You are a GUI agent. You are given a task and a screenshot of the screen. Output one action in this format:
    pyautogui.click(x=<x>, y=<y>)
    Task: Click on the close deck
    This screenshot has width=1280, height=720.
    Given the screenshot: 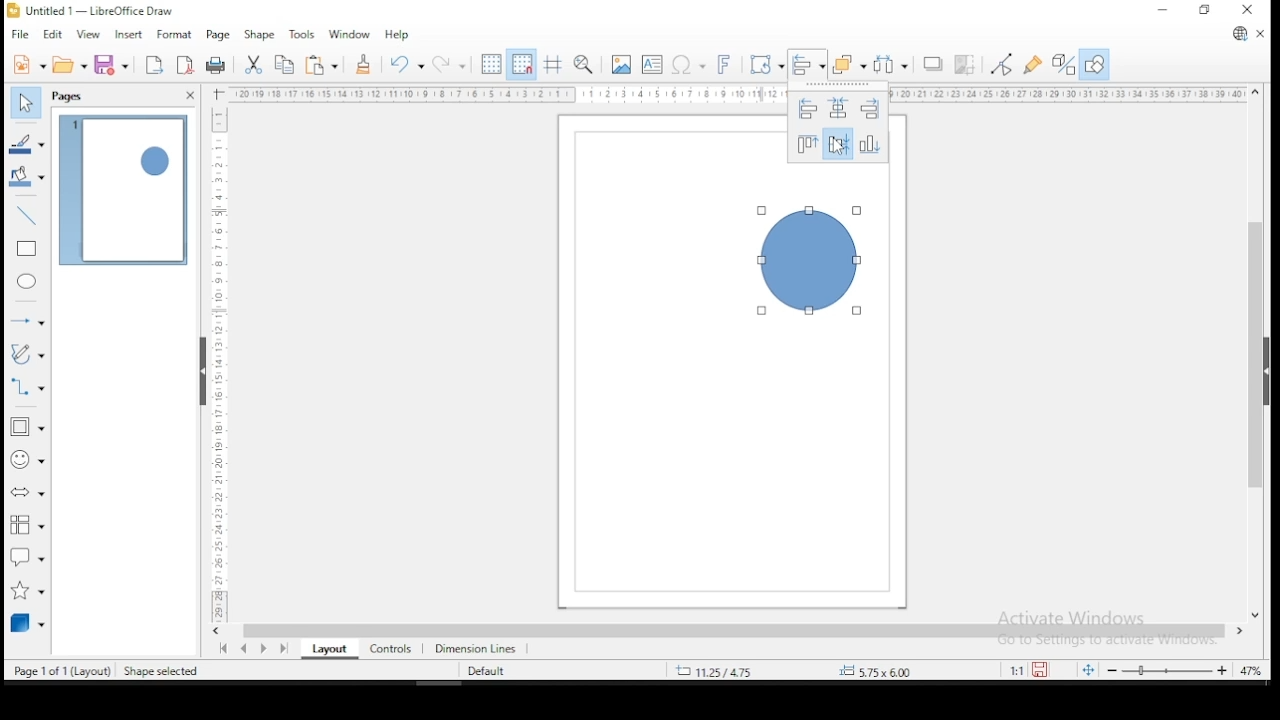 What is the action you would take?
    pyautogui.click(x=189, y=96)
    